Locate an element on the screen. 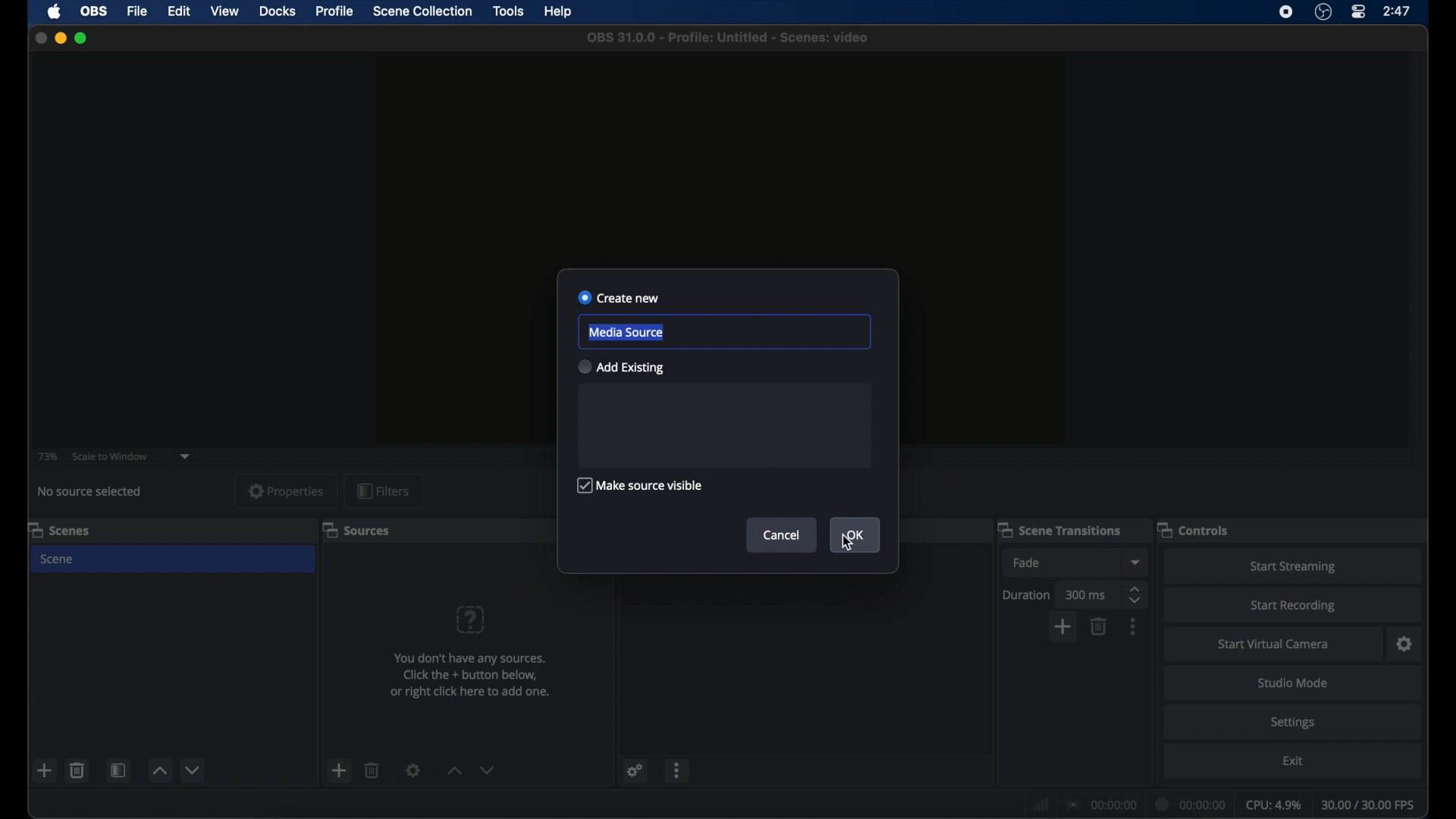 The height and width of the screenshot is (819, 1456). time is located at coordinates (1398, 11).